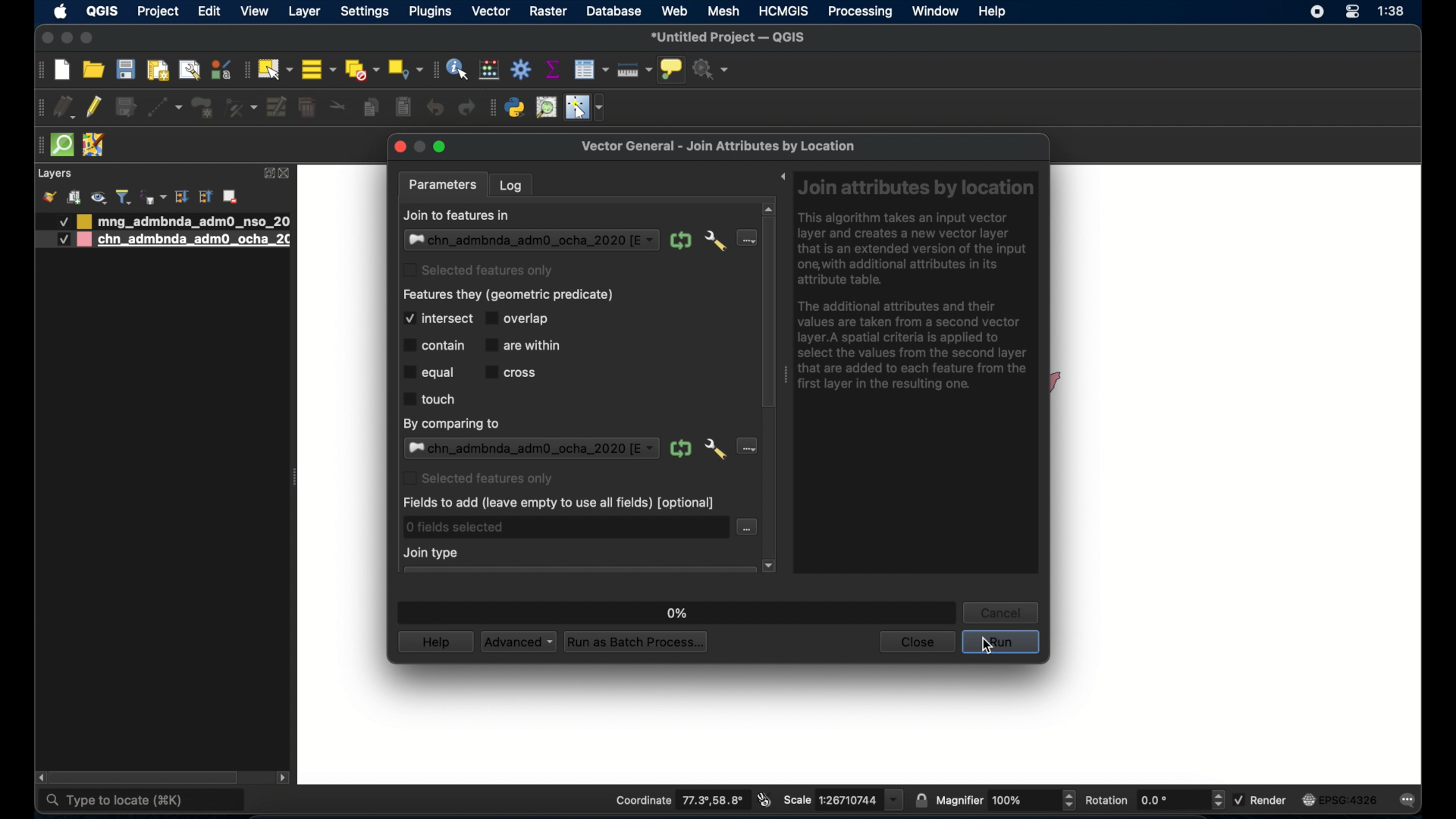 This screenshot has width=1456, height=819. Describe the element at coordinates (770, 566) in the screenshot. I see `scroll down arrow` at that location.